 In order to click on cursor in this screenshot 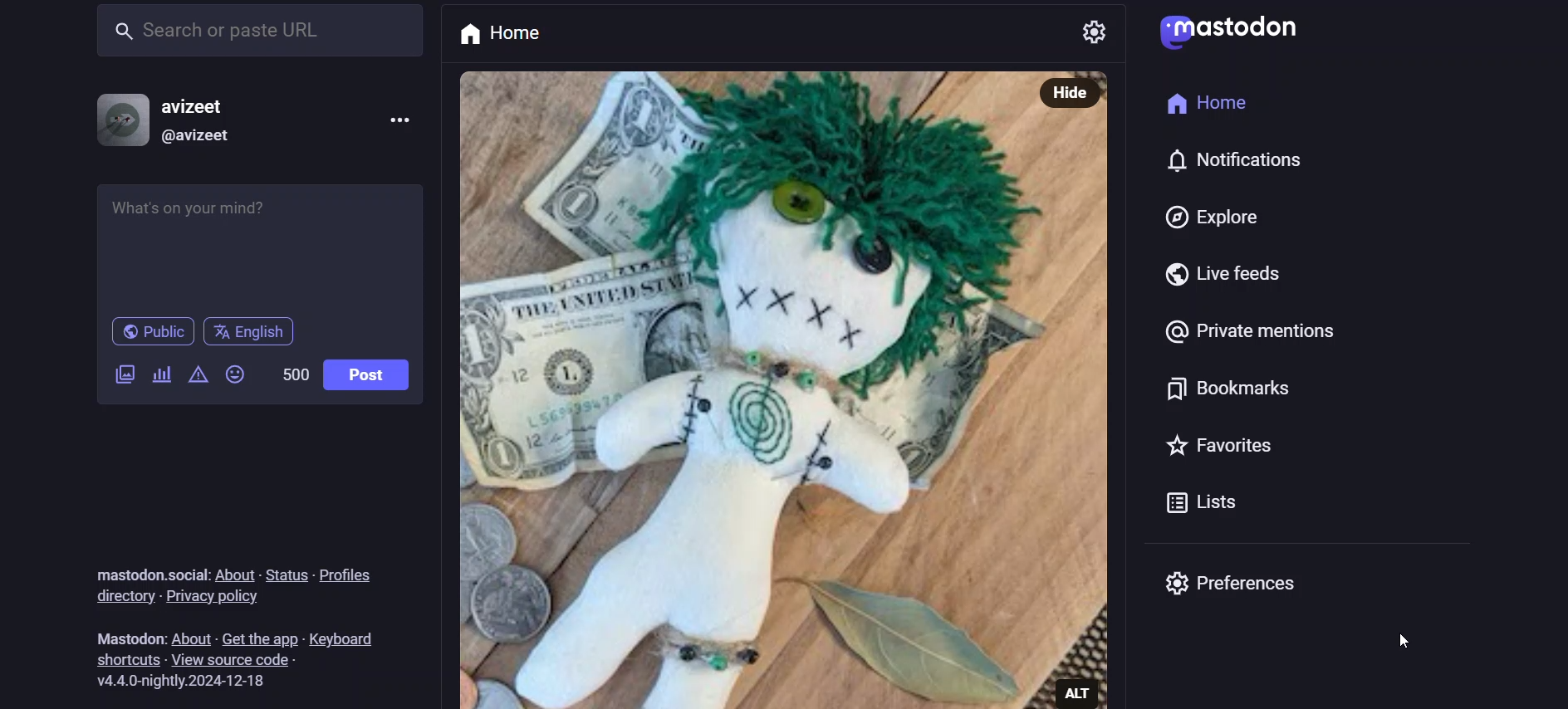, I will do `click(1404, 642)`.